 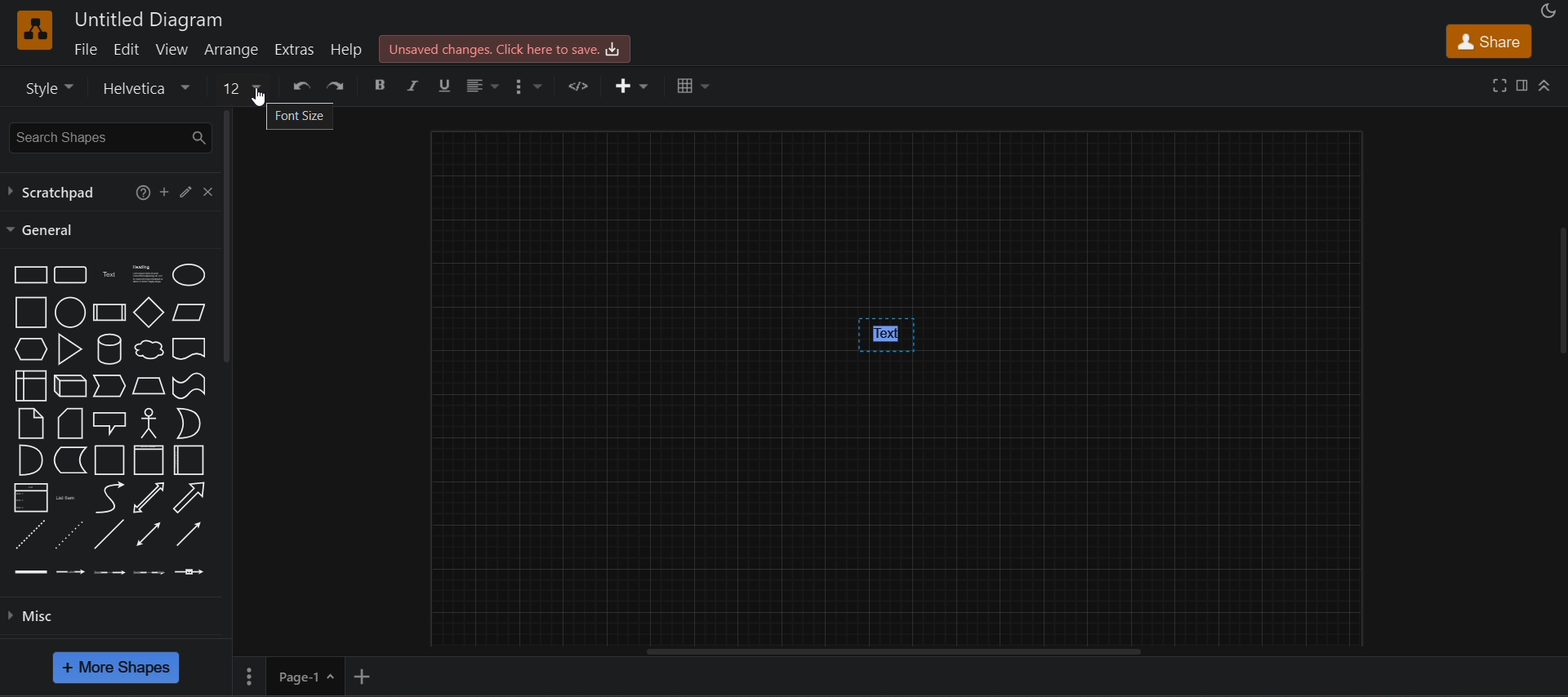 What do you see at coordinates (110, 498) in the screenshot?
I see `Curve` at bounding box center [110, 498].